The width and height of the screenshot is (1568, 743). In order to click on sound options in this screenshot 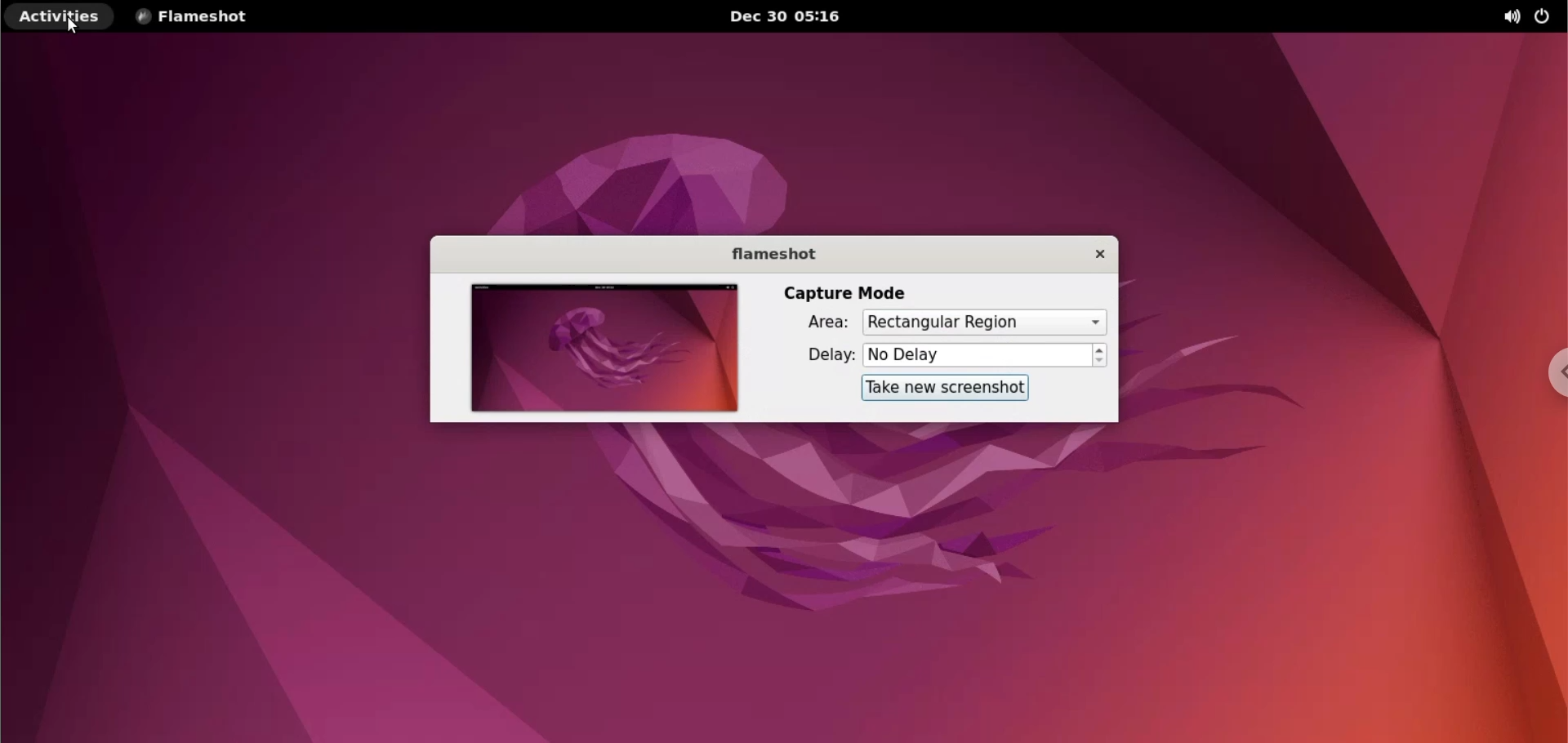, I will do `click(1508, 19)`.